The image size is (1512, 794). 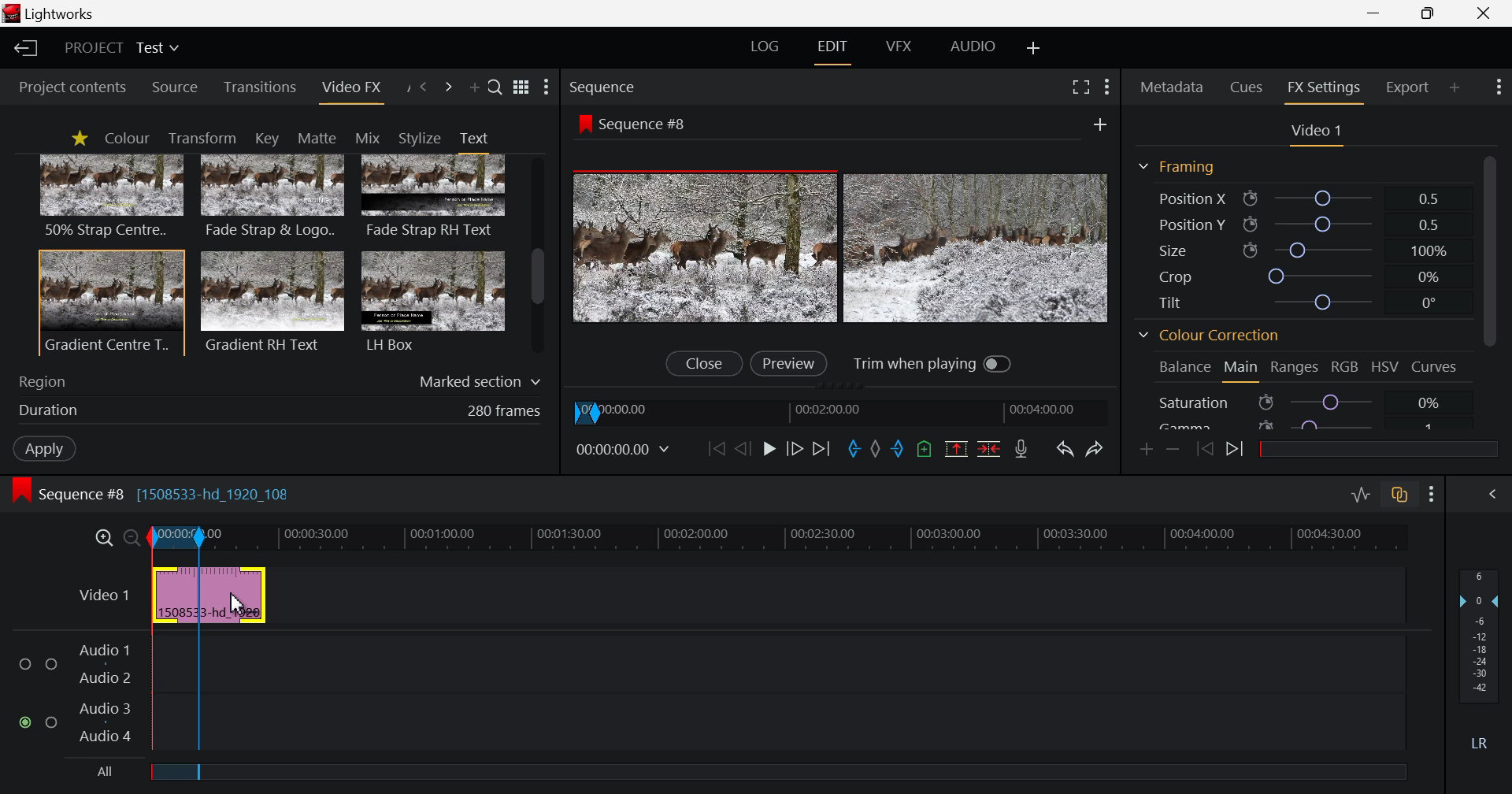 I want to click on Settings, so click(x=1106, y=85).